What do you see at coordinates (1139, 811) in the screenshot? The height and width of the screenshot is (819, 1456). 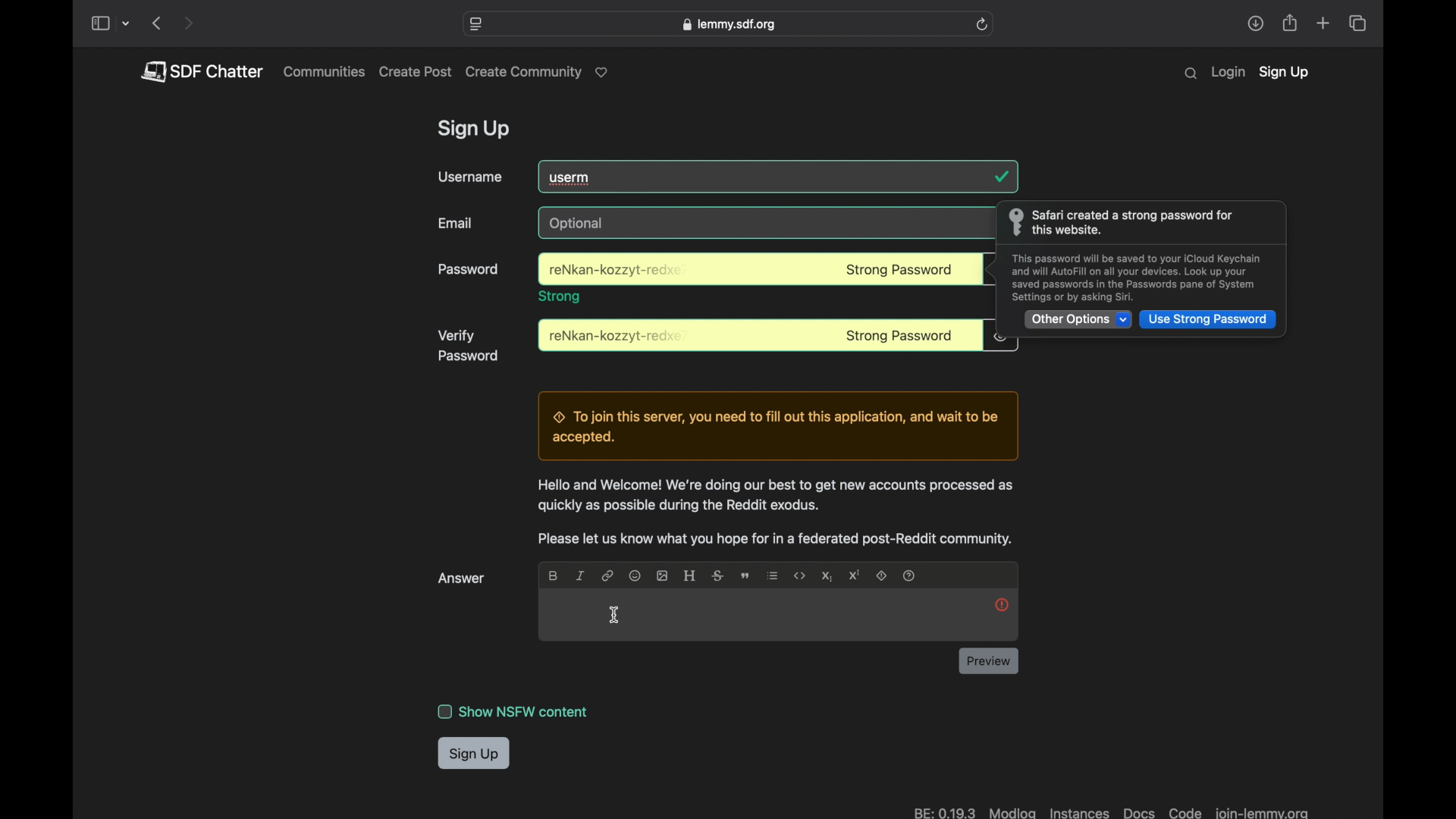 I see `docs` at bounding box center [1139, 811].